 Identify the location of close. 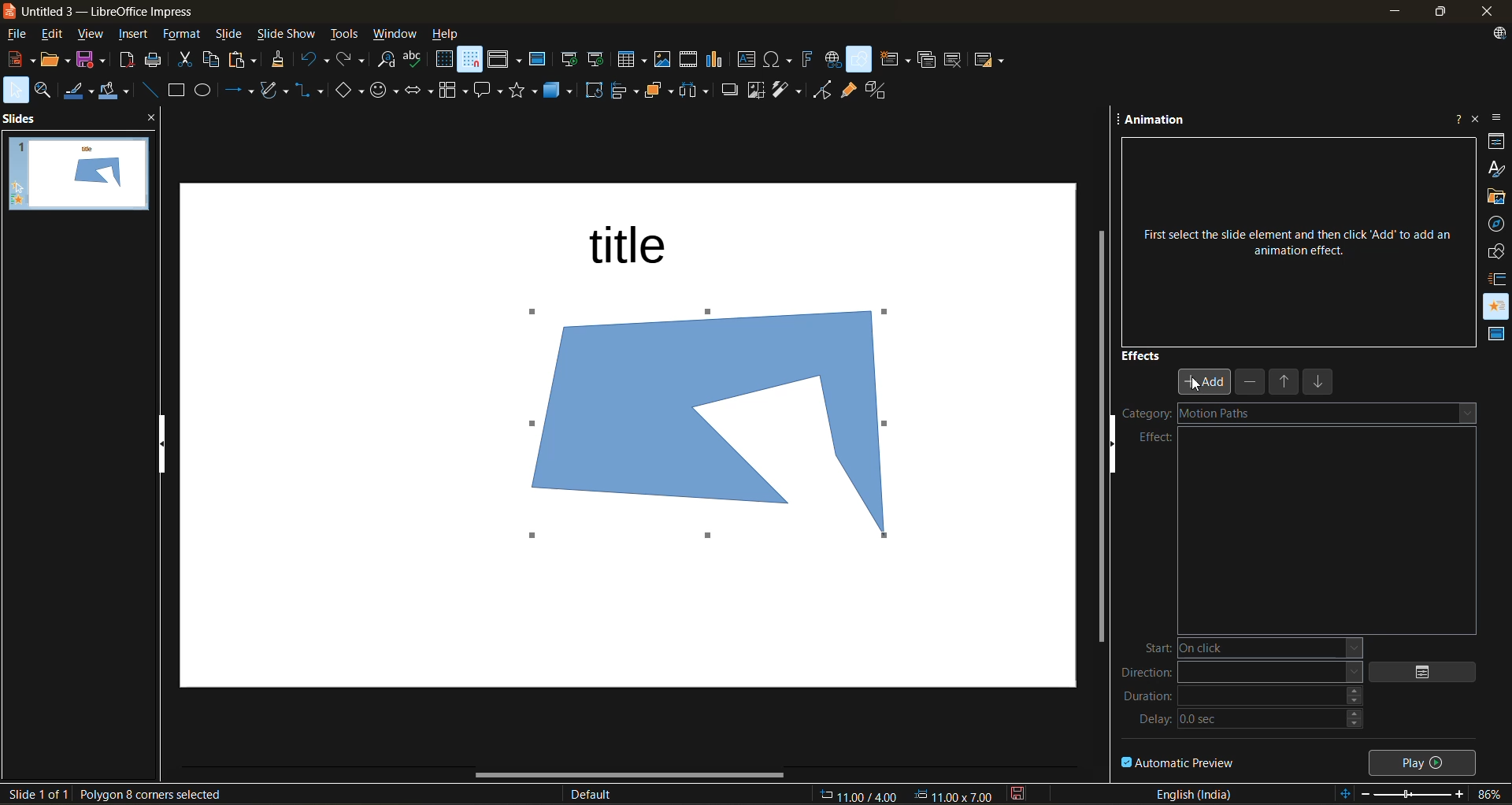
(1490, 13).